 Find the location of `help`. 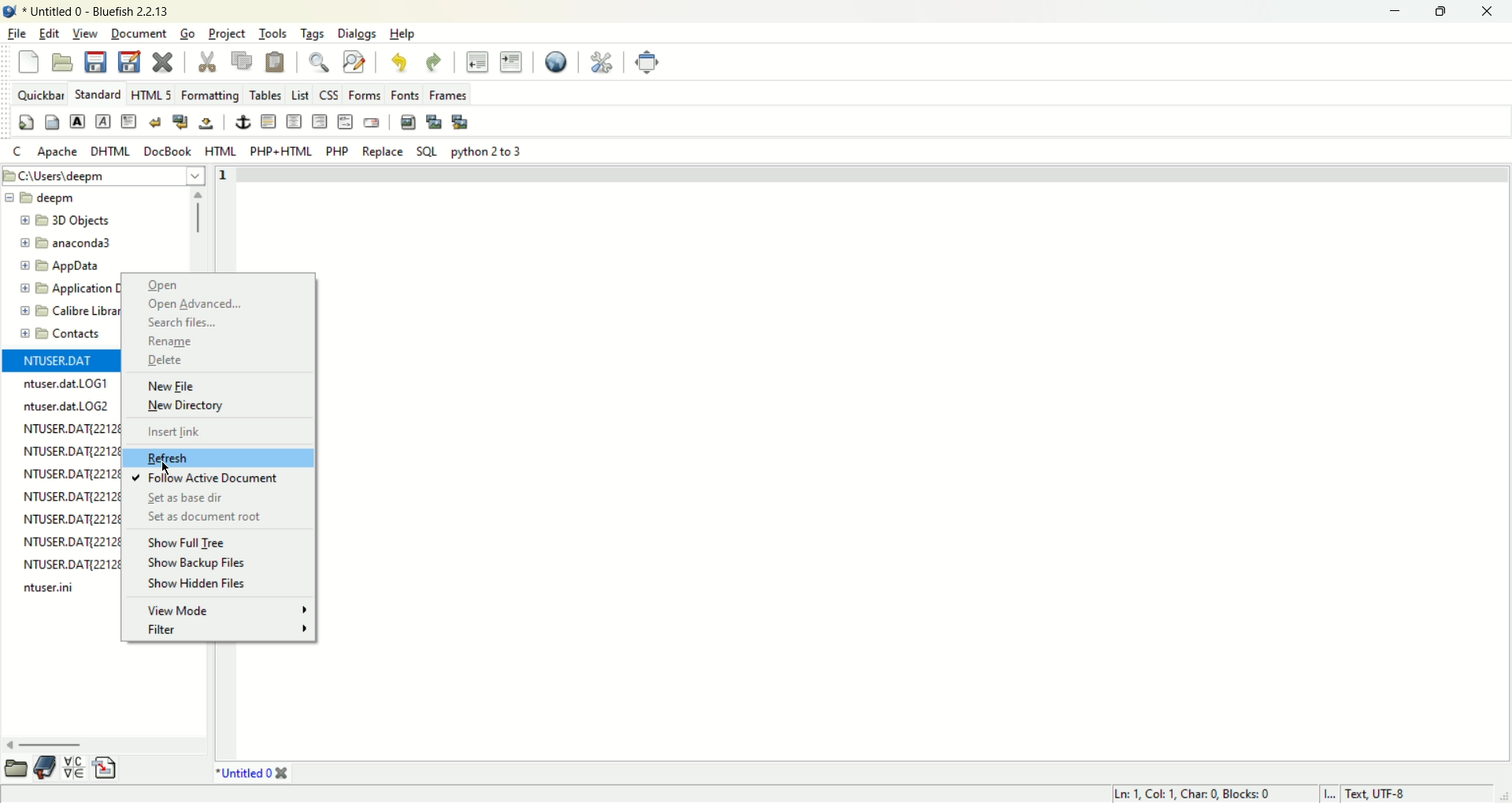

help is located at coordinates (407, 34).